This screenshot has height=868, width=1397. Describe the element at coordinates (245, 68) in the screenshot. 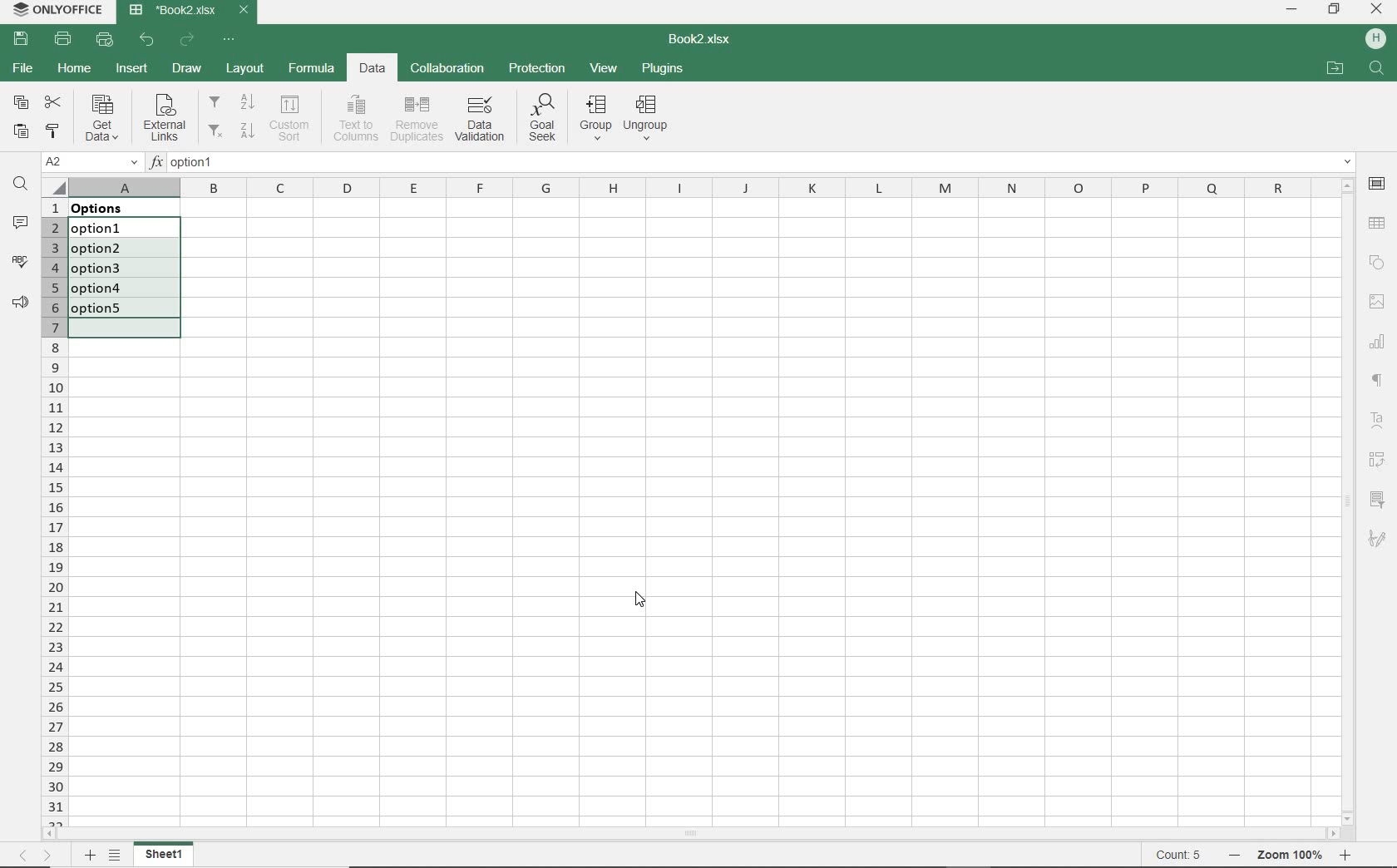

I see `LAYOUT` at that location.